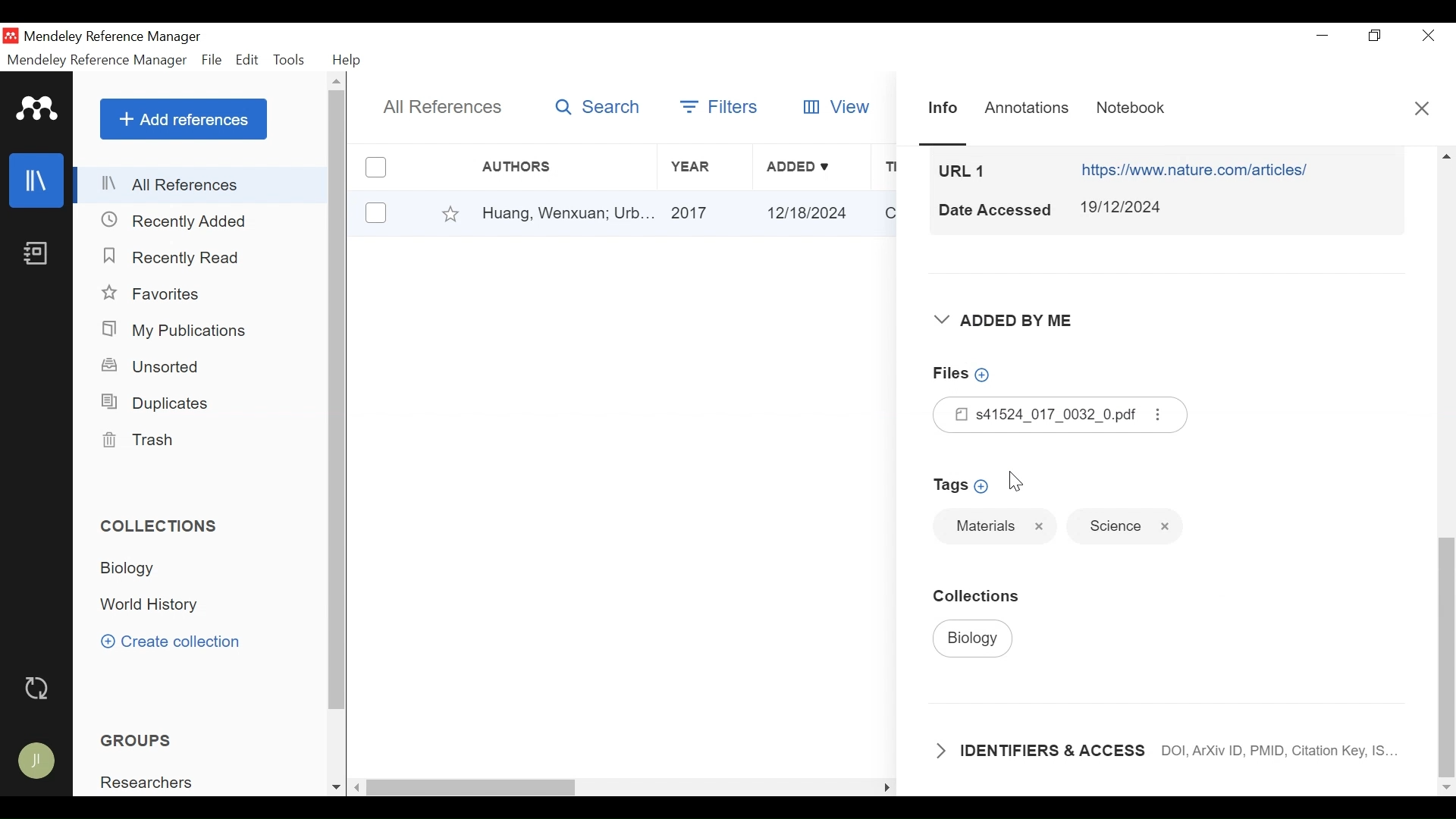 The width and height of the screenshot is (1456, 819). Describe the element at coordinates (146, 440) in the screenshot. I see `Trash` at that location.